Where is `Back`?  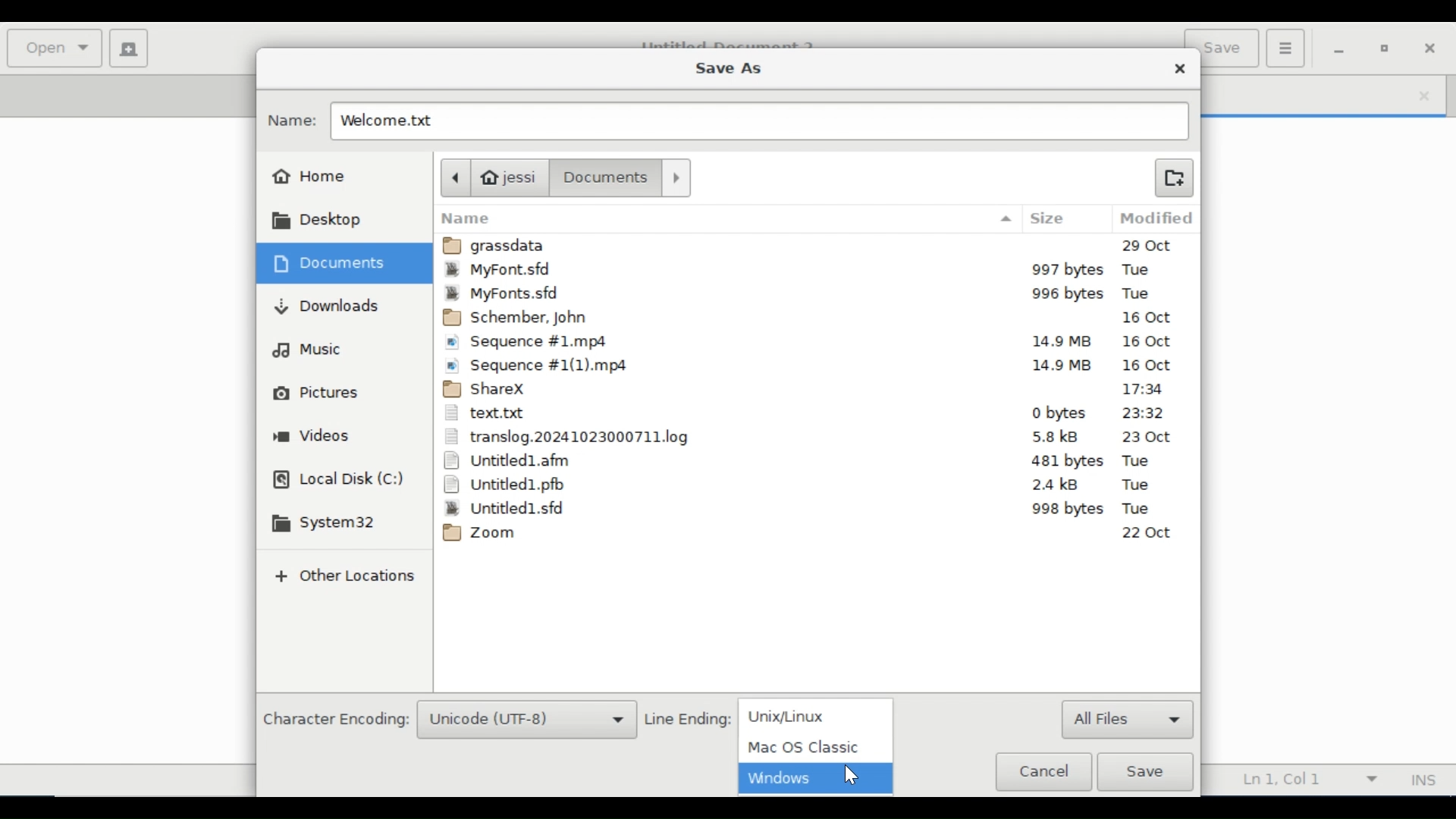 Back is located at coordinates (454, 177).